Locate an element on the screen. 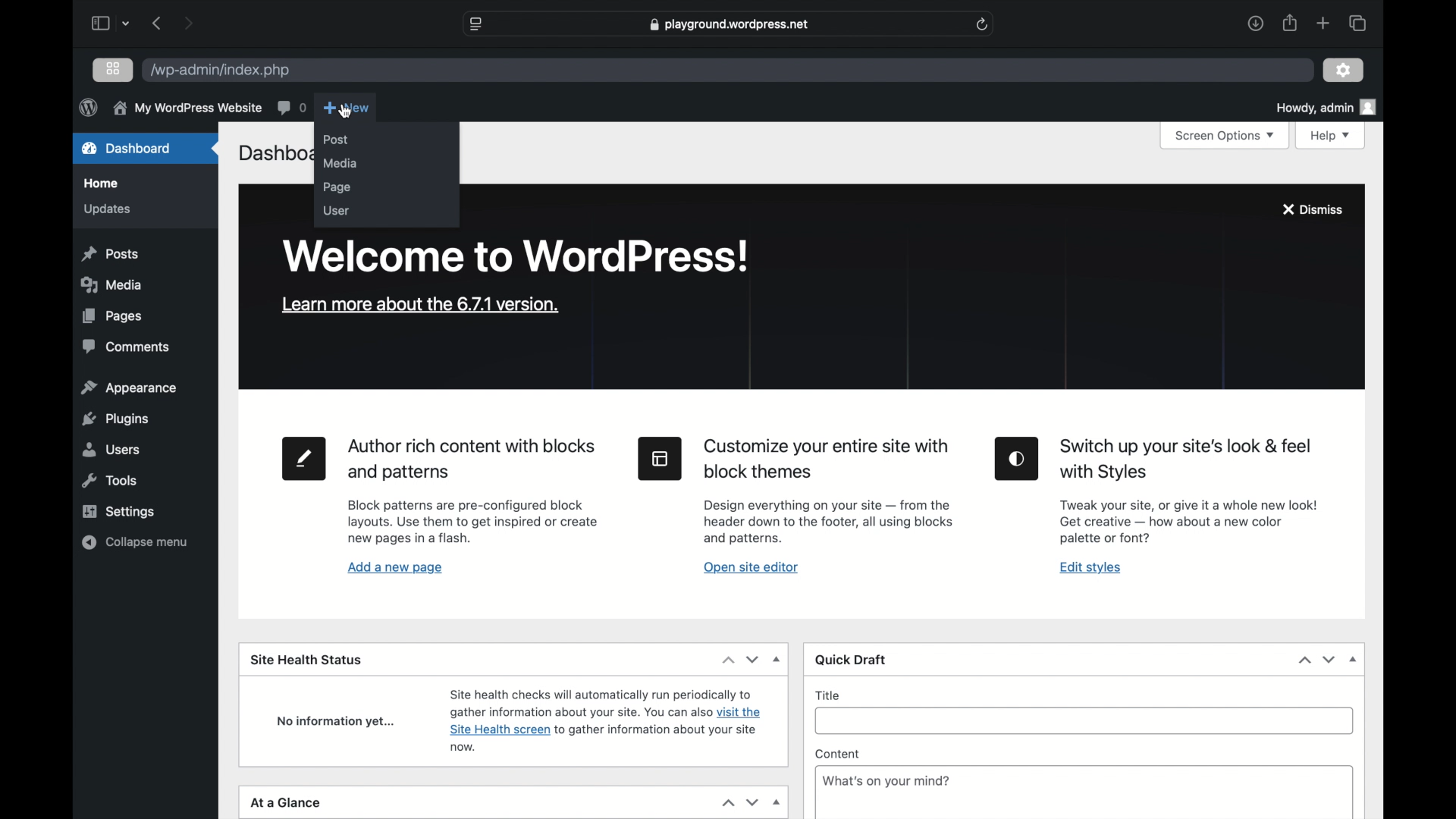  content is located at coordinates (838, 755).